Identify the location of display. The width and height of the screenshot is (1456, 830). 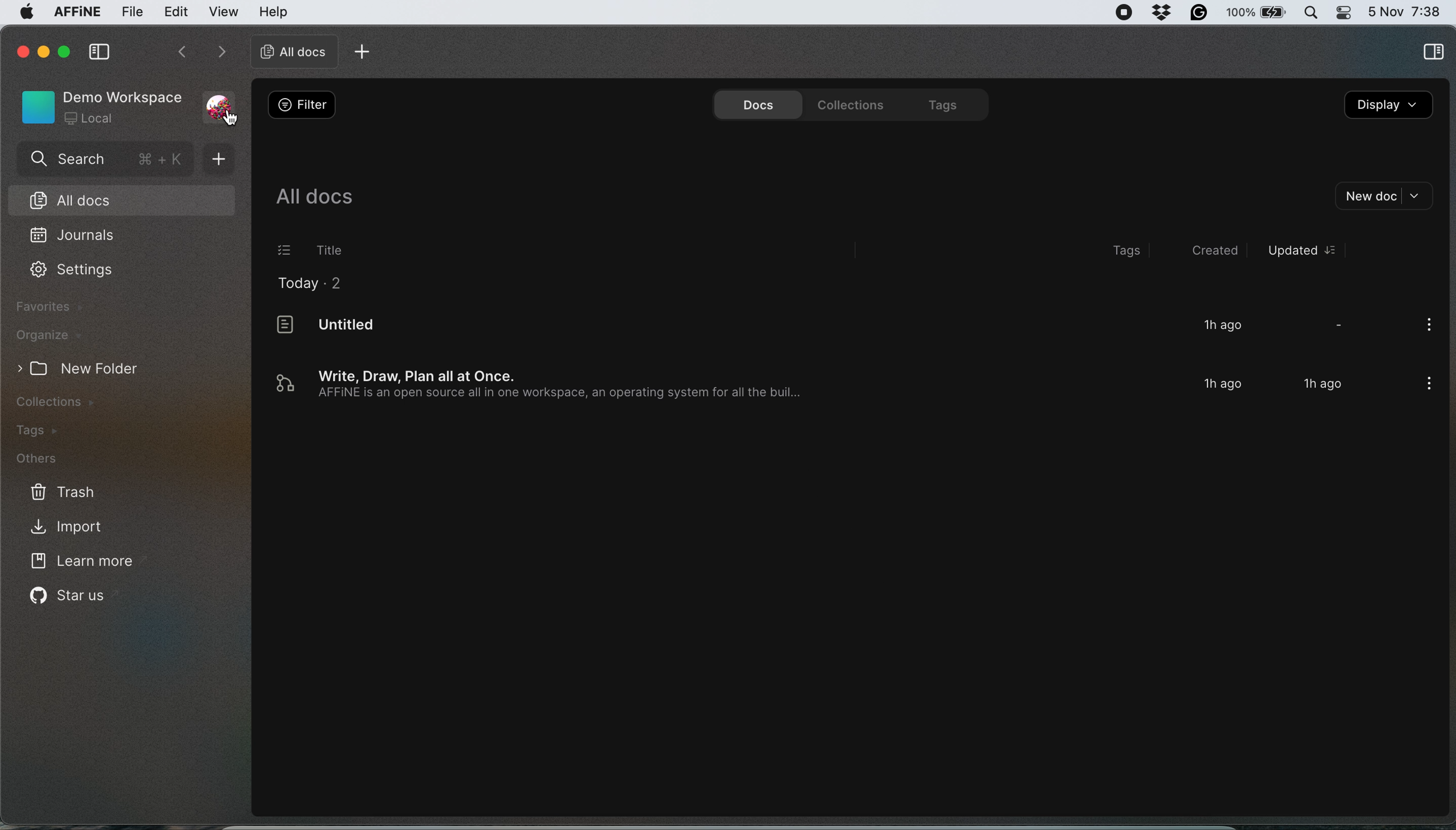
(1389, 107).